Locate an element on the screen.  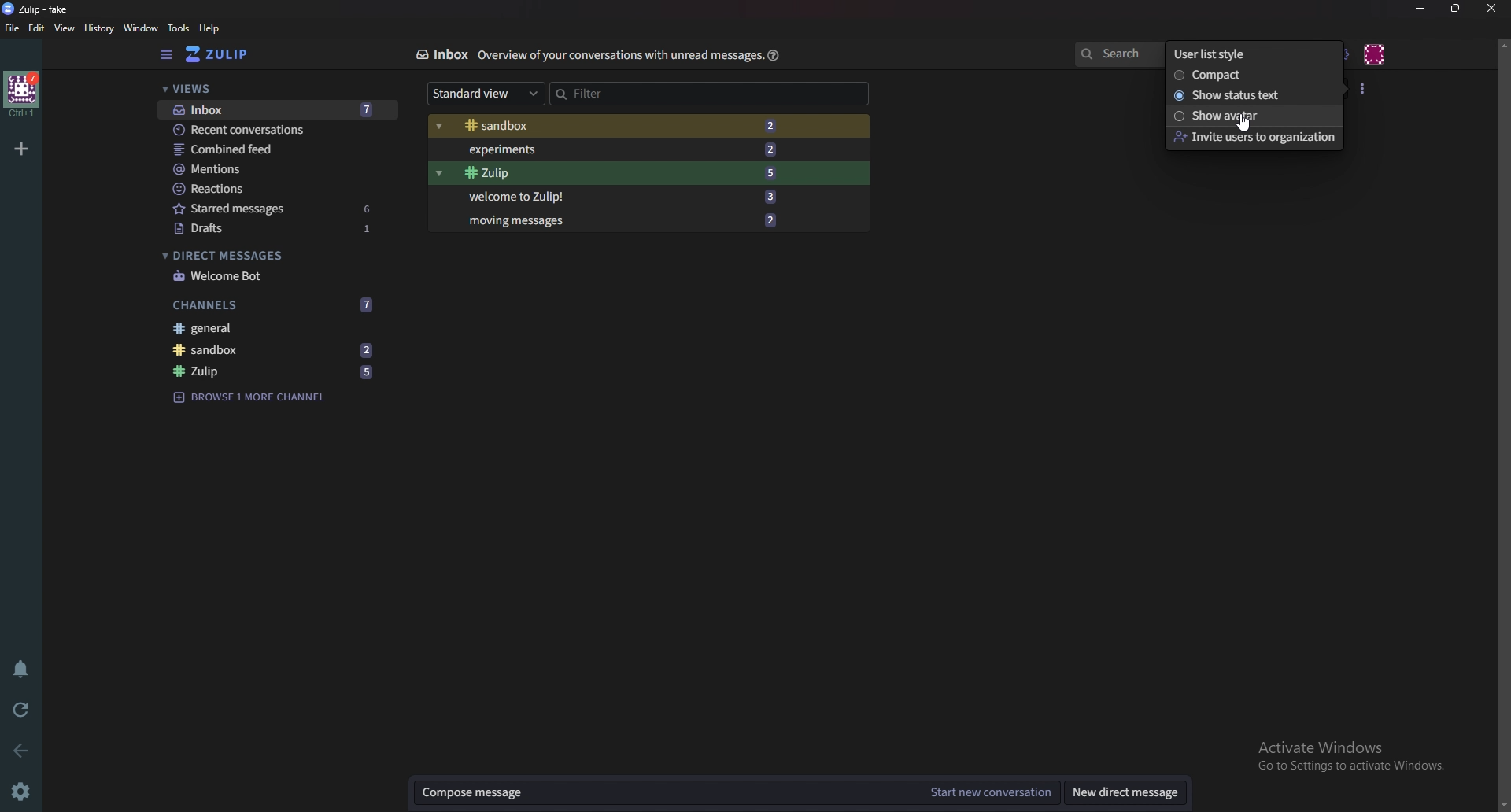
Settings is located at coordinates (25, 790).